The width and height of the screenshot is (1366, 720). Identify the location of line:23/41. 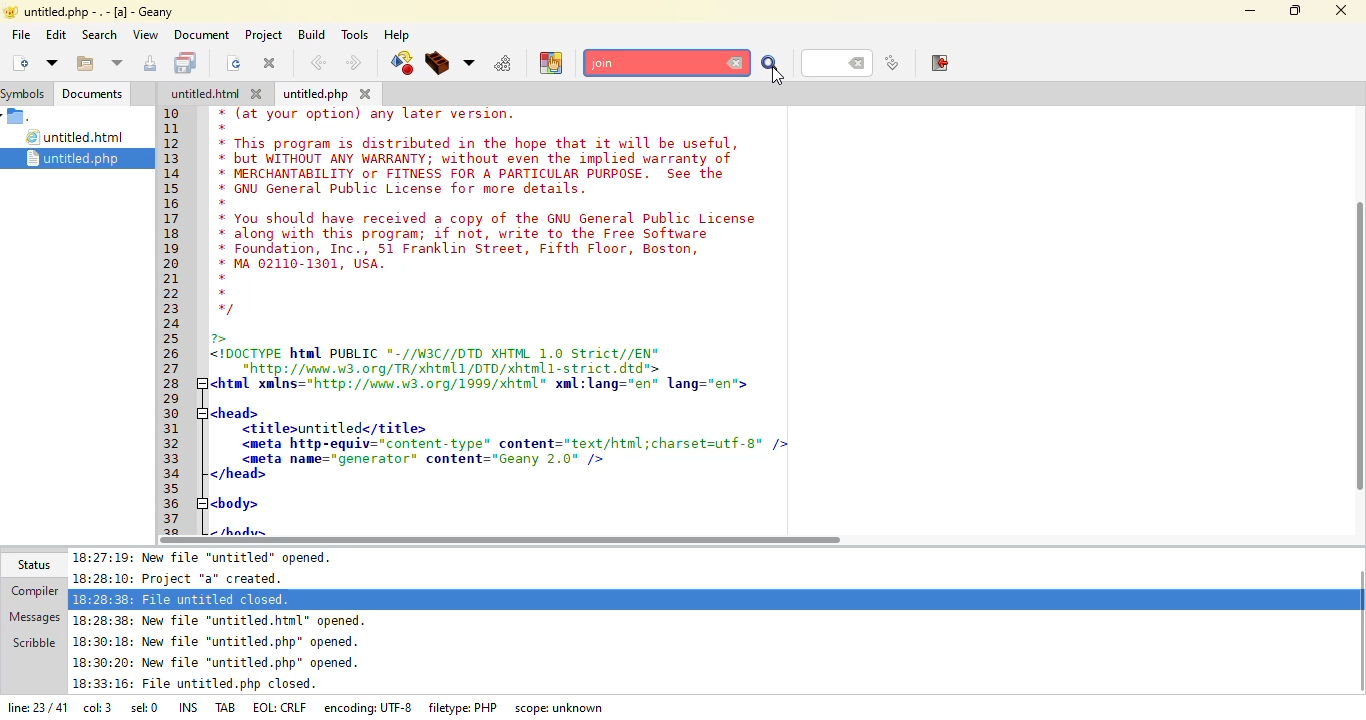
(35, 709).